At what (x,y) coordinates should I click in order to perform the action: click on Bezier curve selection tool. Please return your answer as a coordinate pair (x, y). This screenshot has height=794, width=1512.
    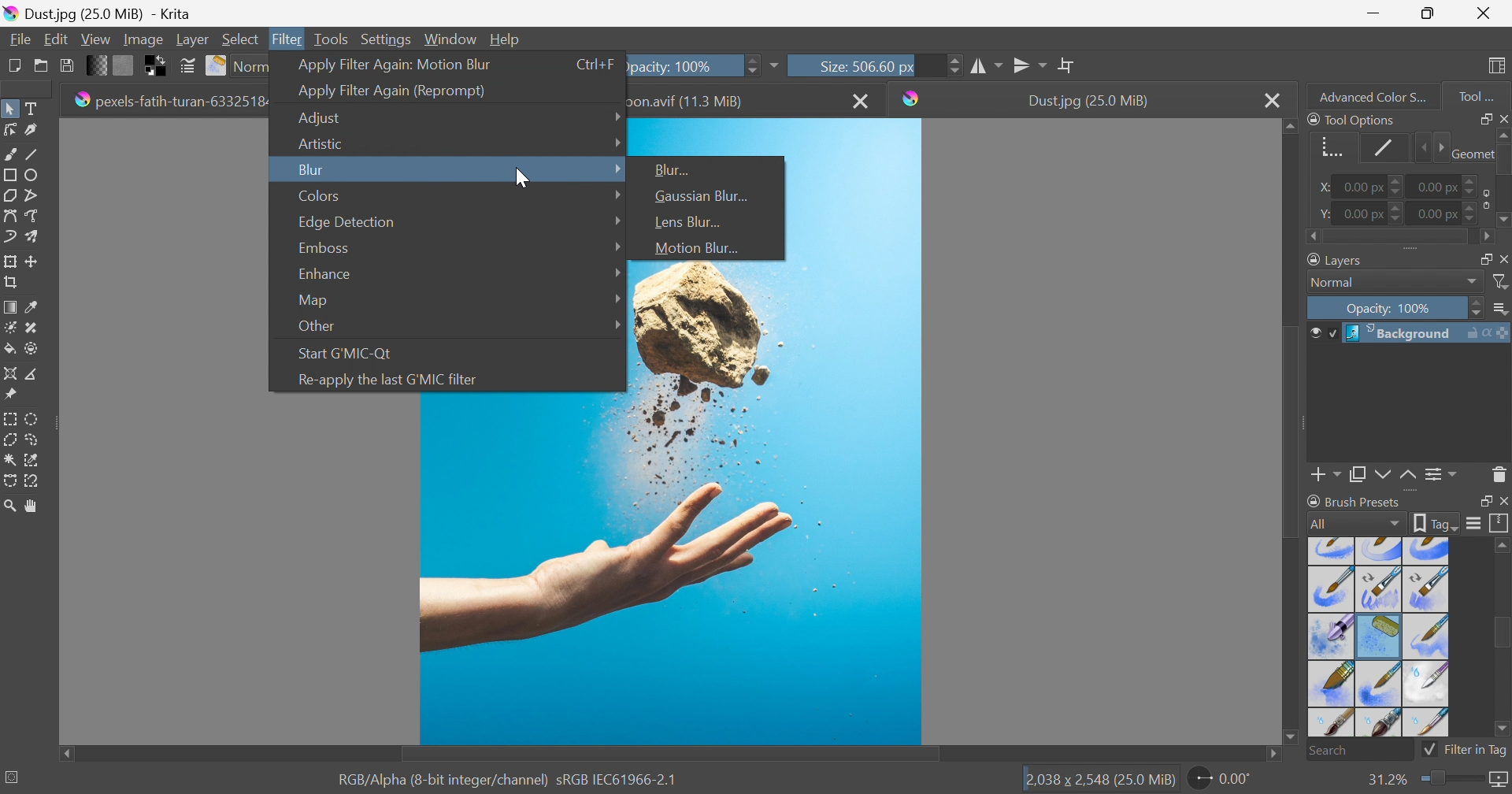
    Looking at the image, I should click on (11, 460).